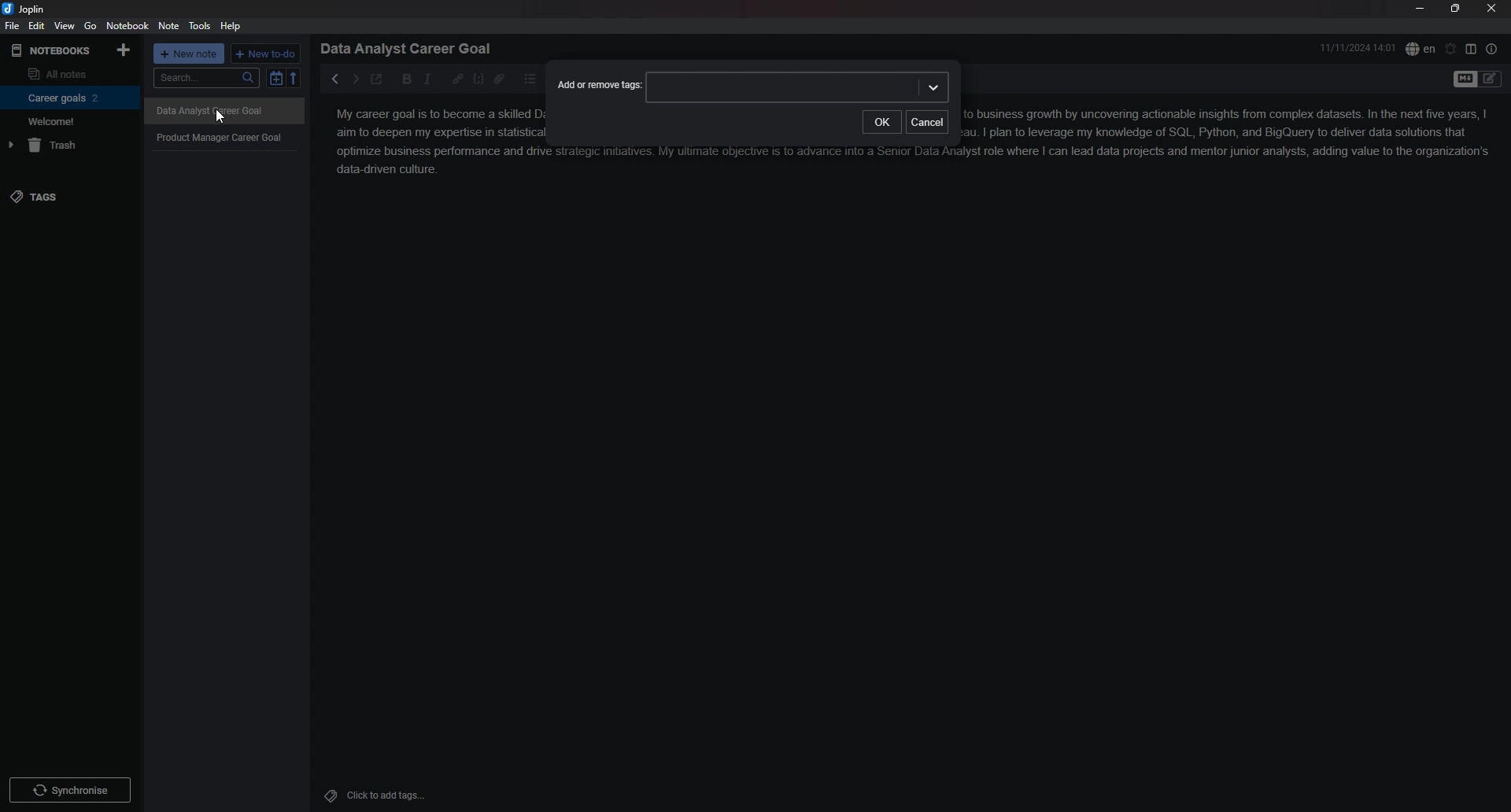 Image resolution: width=1511 pixels, height=812 pixels. Describe the element at coordinates (1464, 80) in the screenshot. I see `toggle editor` at that location.